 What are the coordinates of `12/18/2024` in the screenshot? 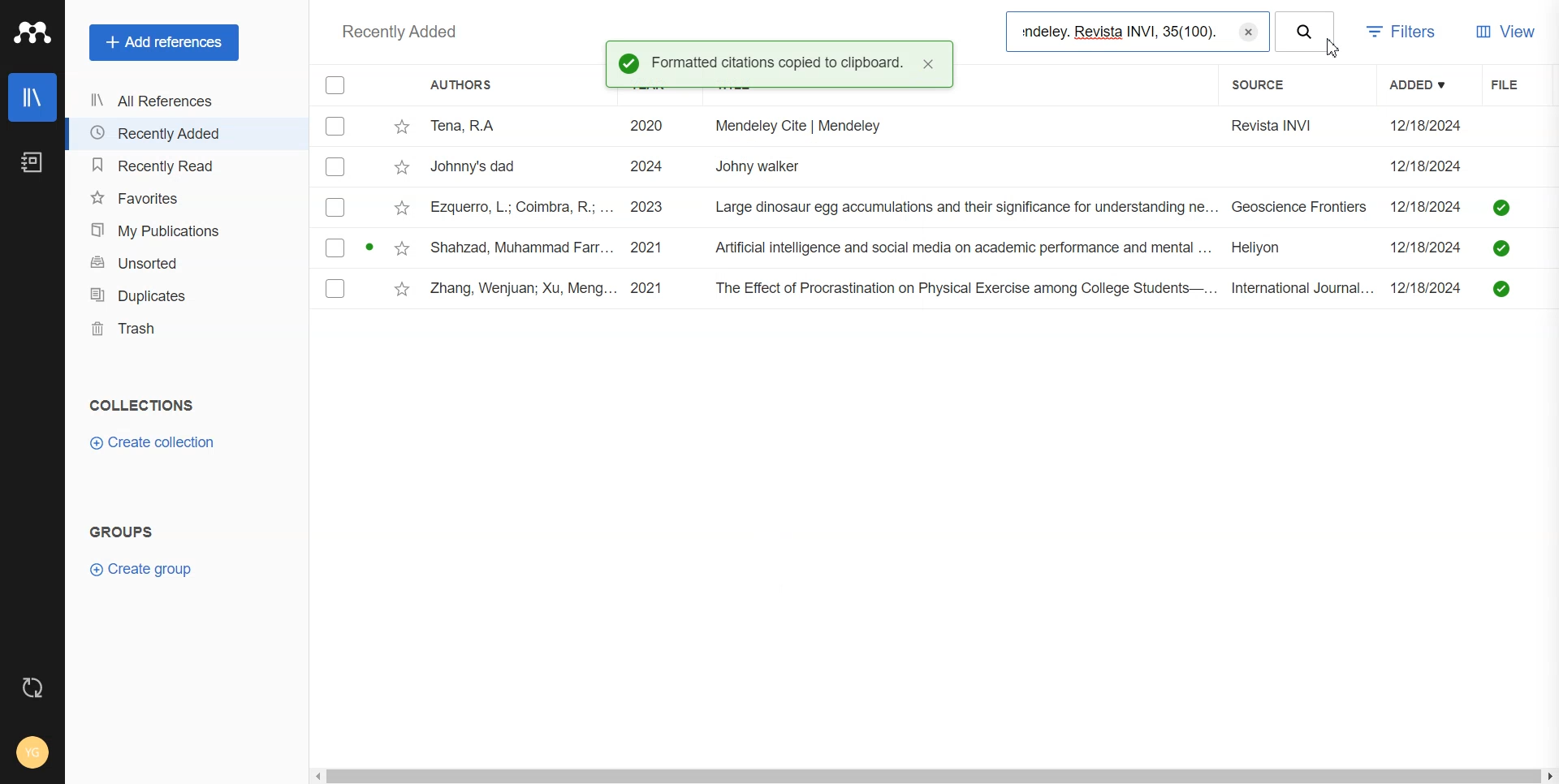 It's located at (1427, 126).